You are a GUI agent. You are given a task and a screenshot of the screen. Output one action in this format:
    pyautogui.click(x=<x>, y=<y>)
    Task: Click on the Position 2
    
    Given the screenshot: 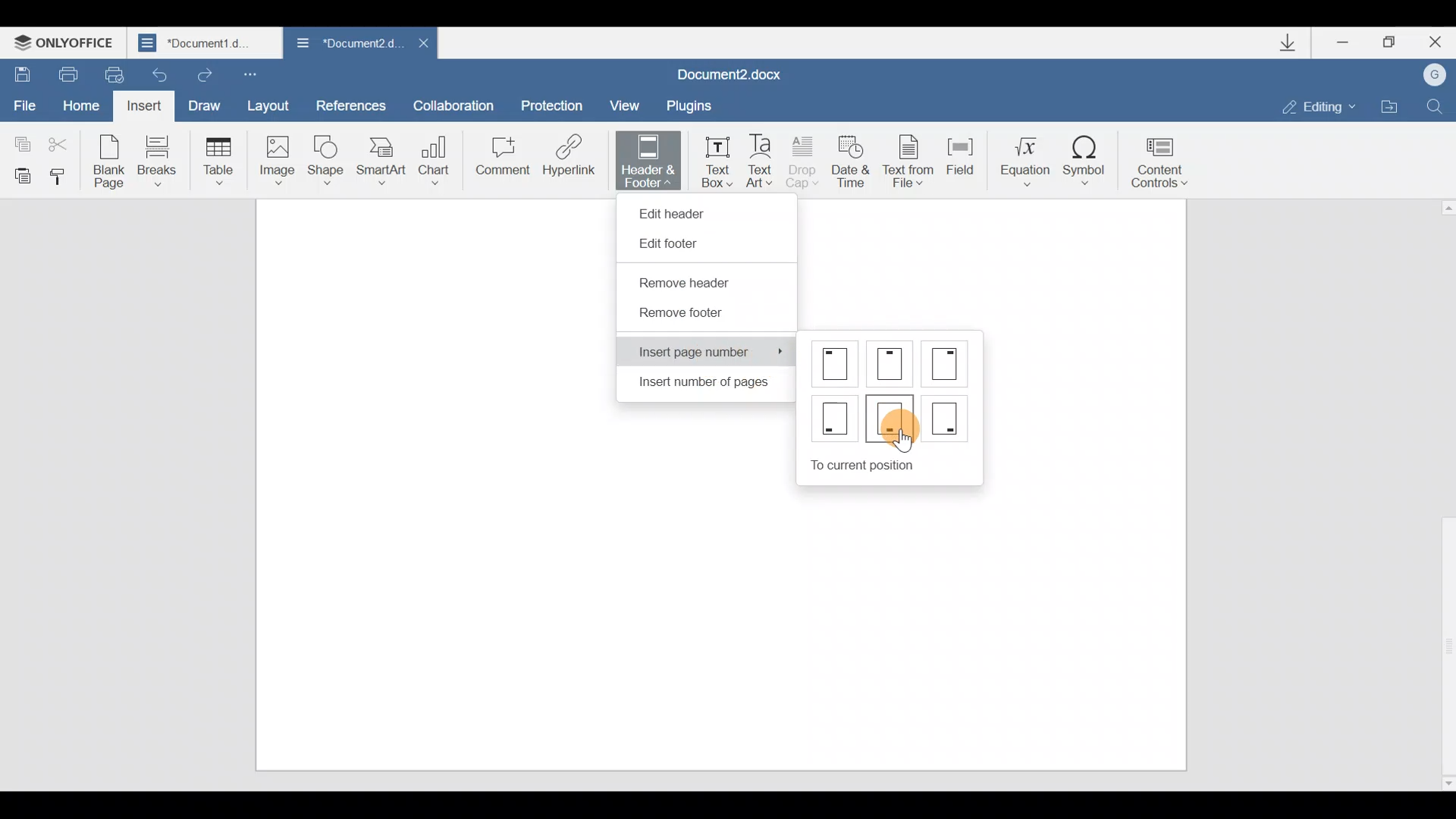 What is the action you would take?
    pyautogui.click(x=892, y=364)
    